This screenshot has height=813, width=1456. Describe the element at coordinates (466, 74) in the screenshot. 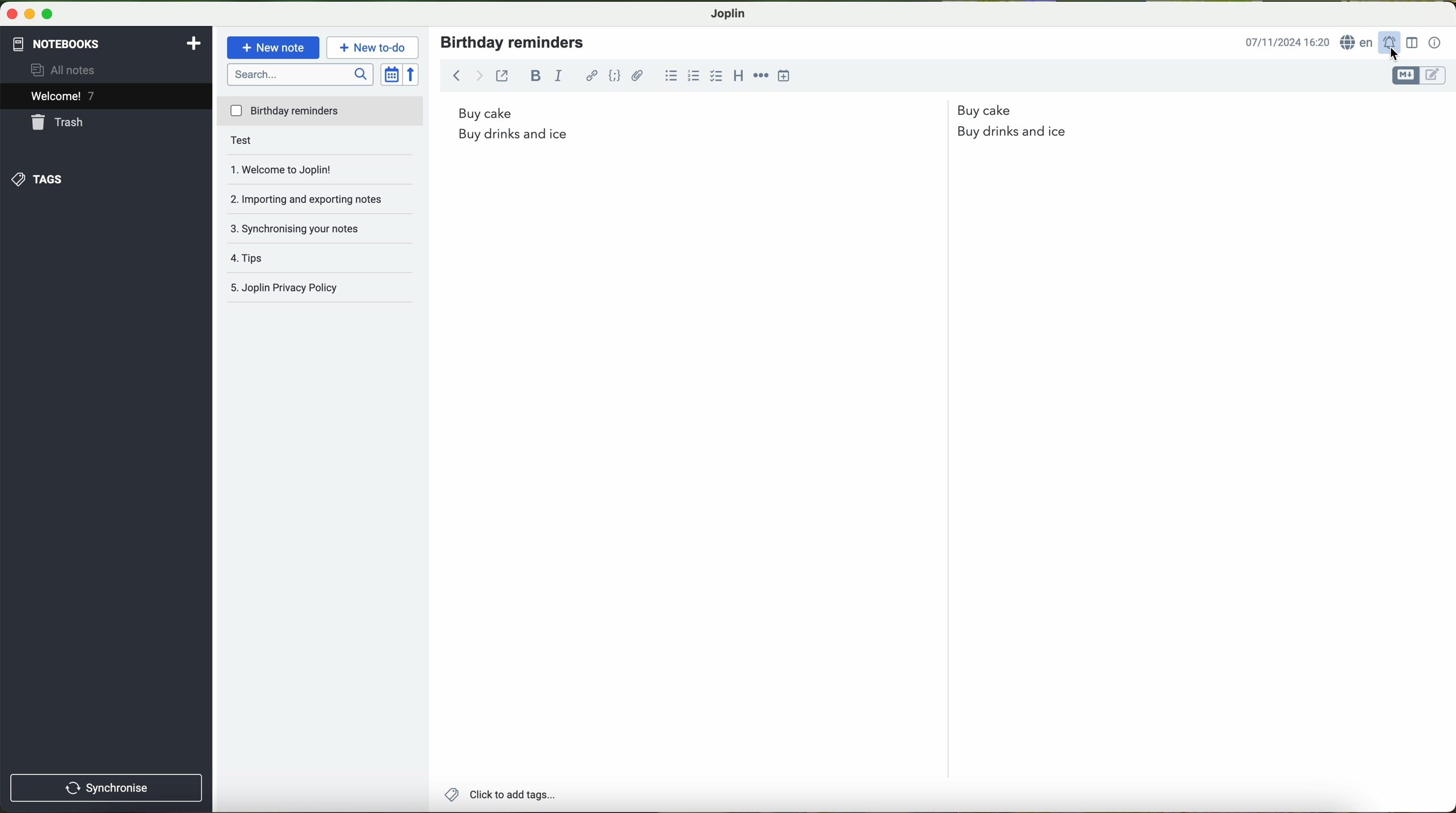

I see `back arrow` at that location.